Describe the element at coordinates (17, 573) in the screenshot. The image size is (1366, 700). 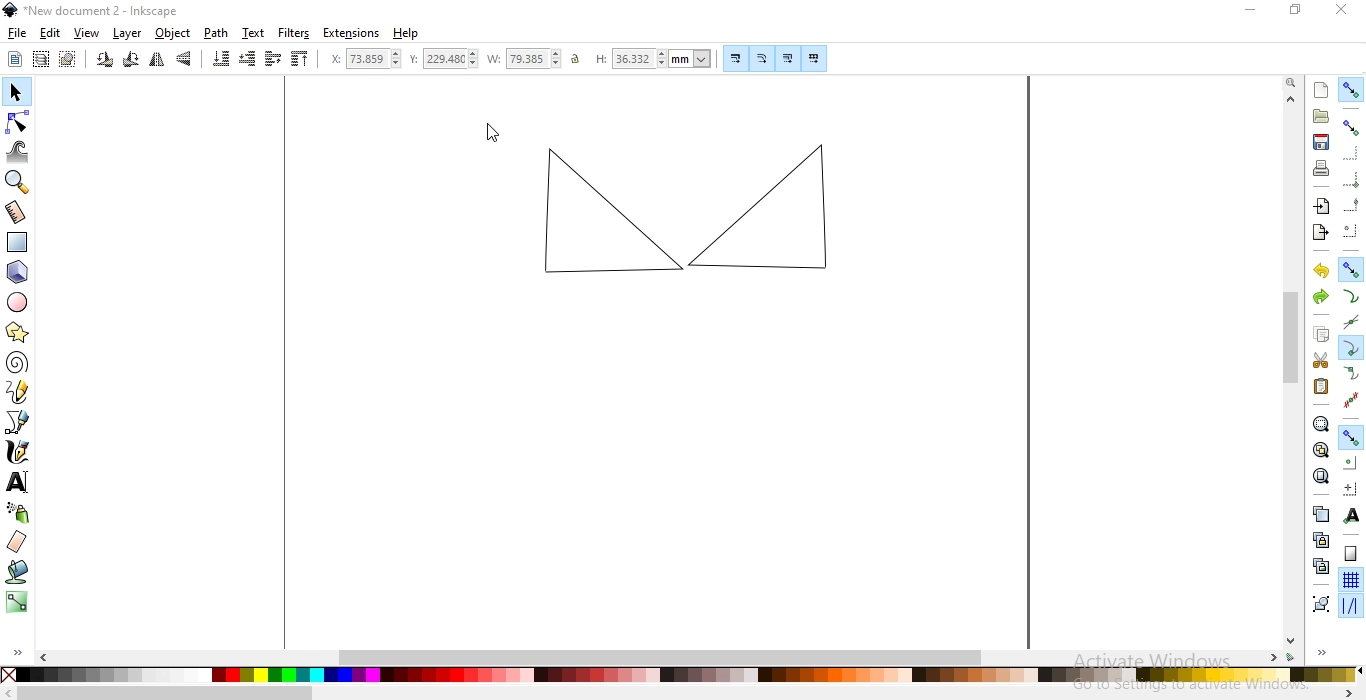
I see `fill bounded areas` at that location.